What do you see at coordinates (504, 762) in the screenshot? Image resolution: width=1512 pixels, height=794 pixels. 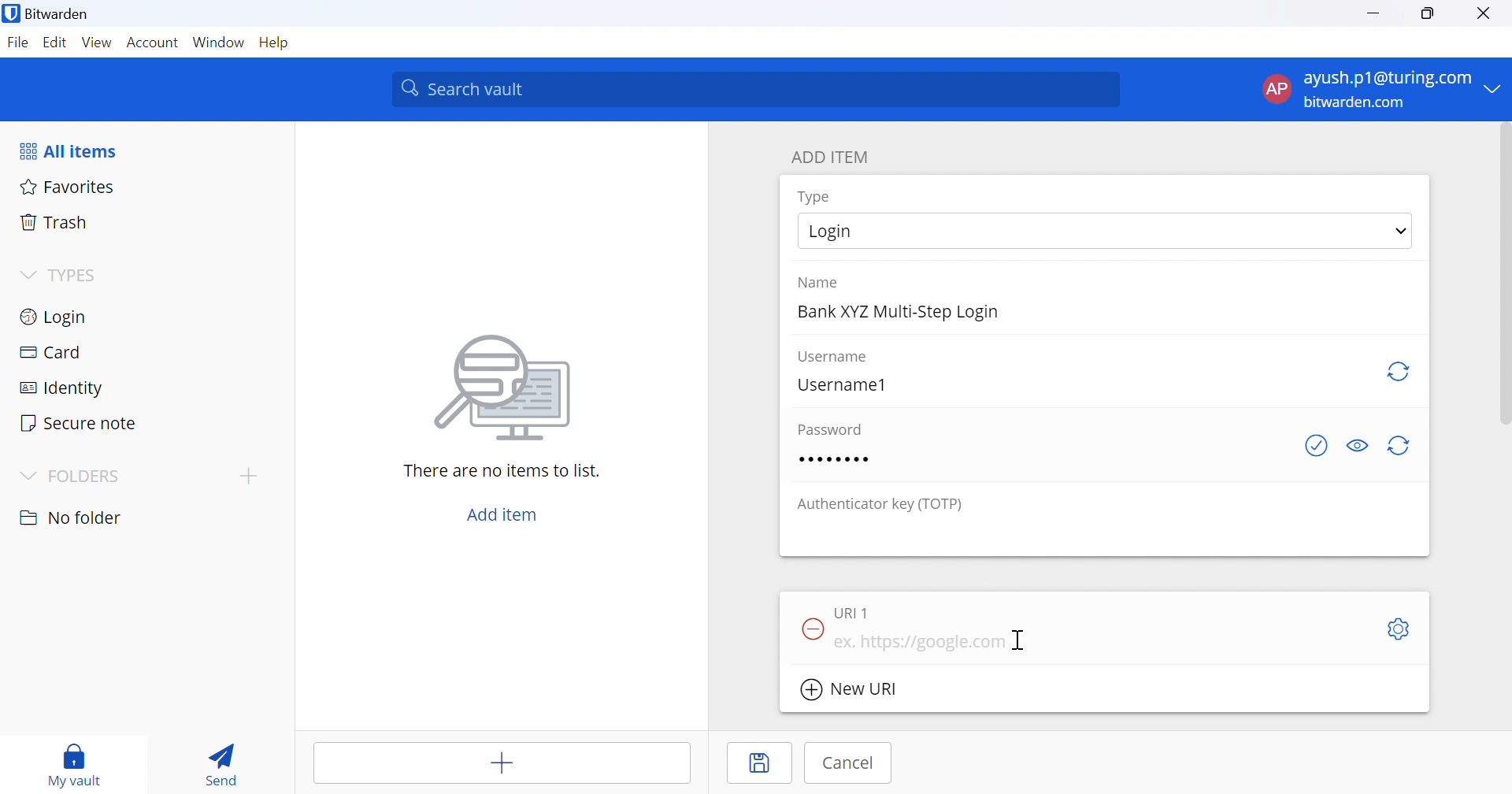 I see `Add item` at bounding box center [504, 762].